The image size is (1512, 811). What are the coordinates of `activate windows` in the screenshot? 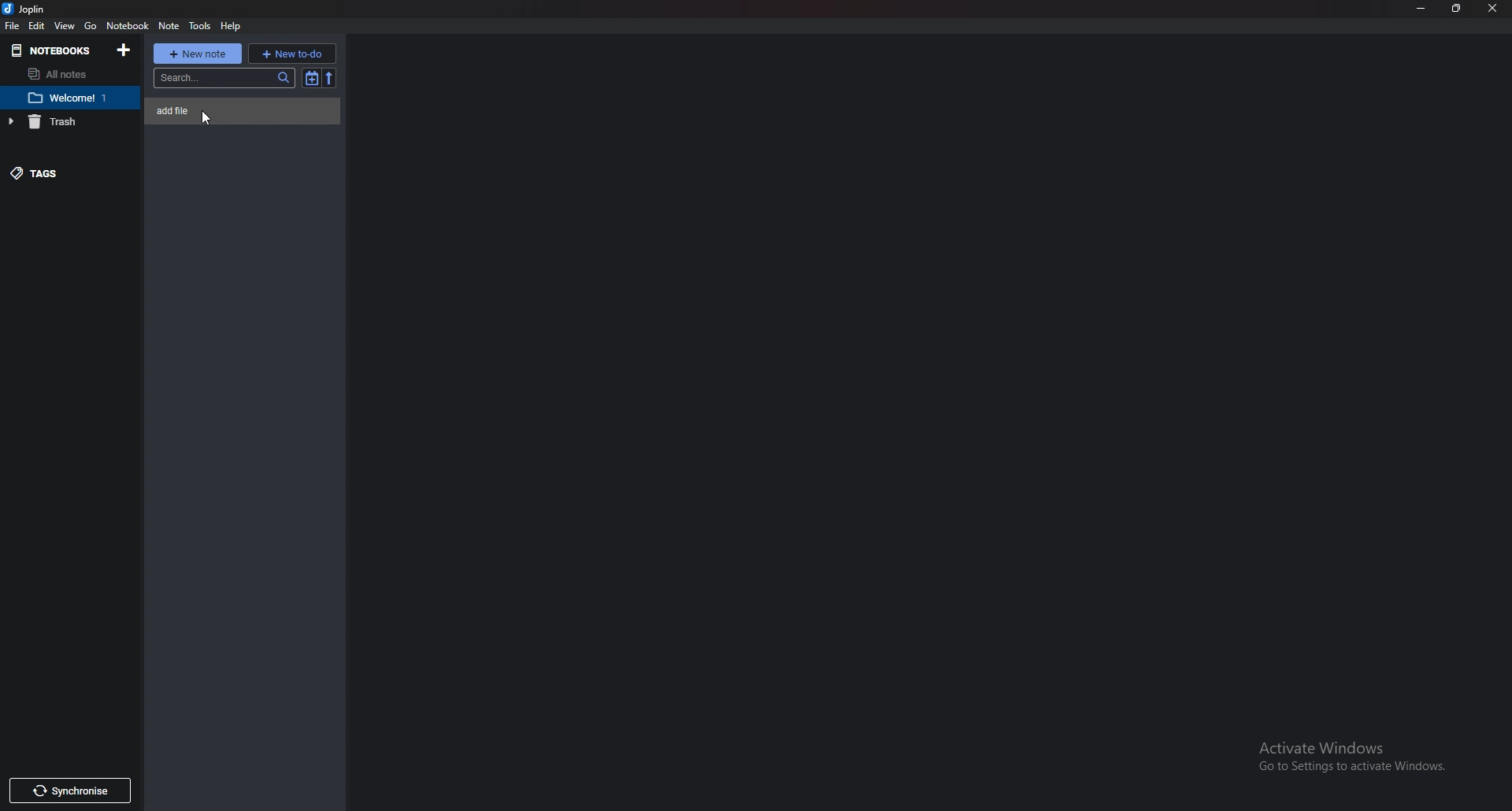 It's located at (1350, 757).